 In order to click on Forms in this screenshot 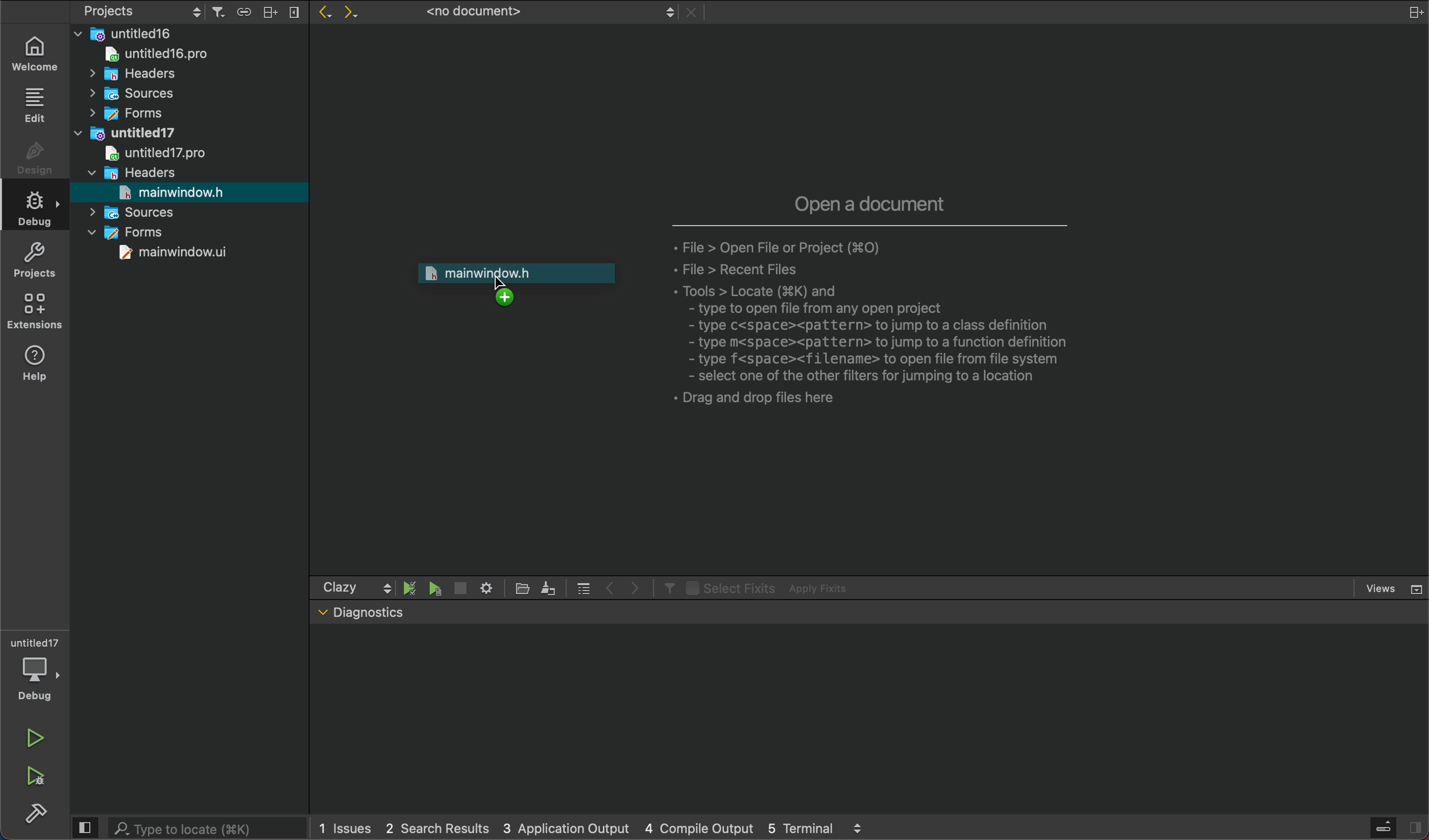, I will do `click(123, 113)`.